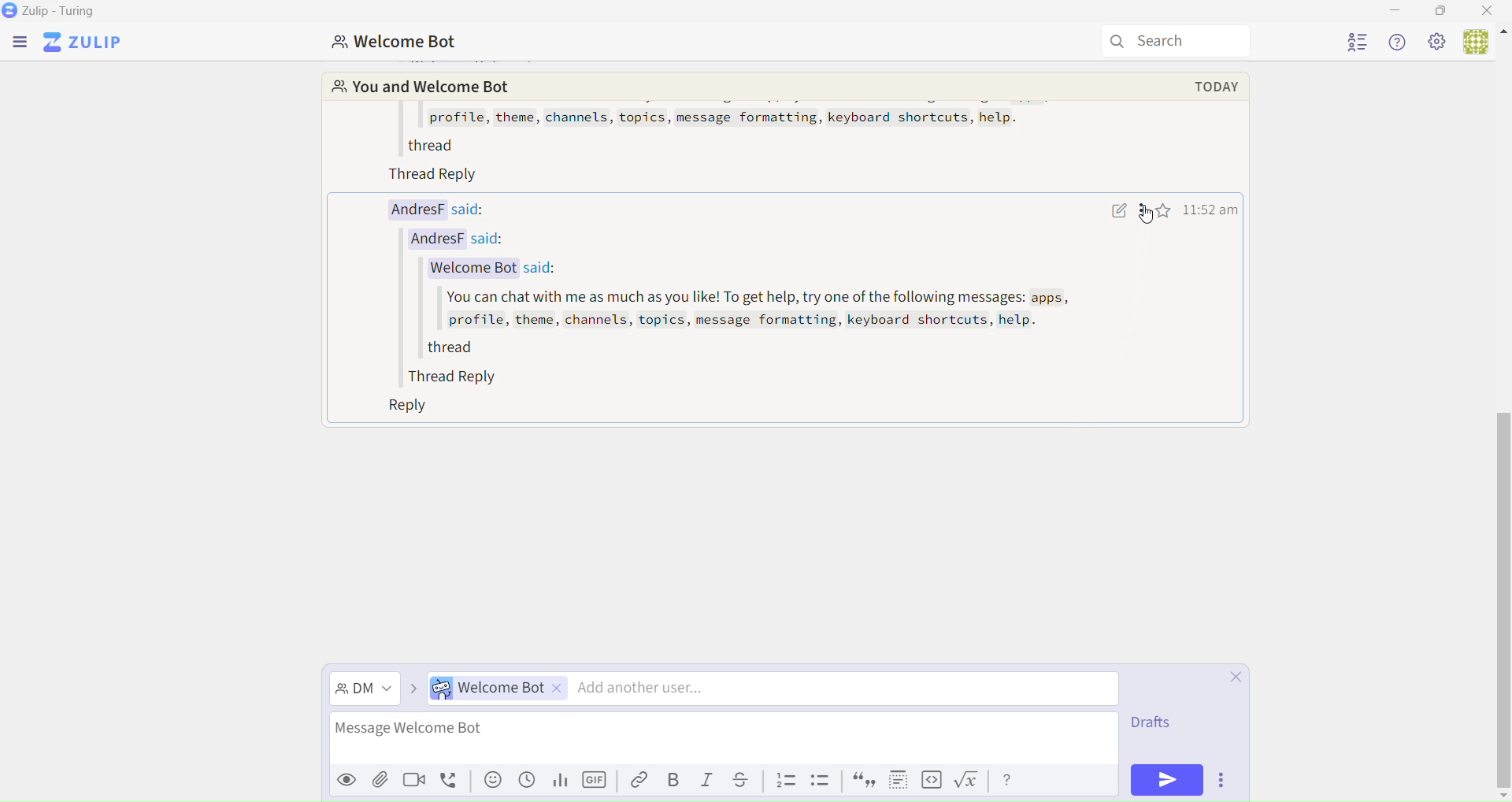 This screenshot has width=1512, height=802. Describe the element at coordinates (380, 785) in the screenshot. I see `attachment` at that location.